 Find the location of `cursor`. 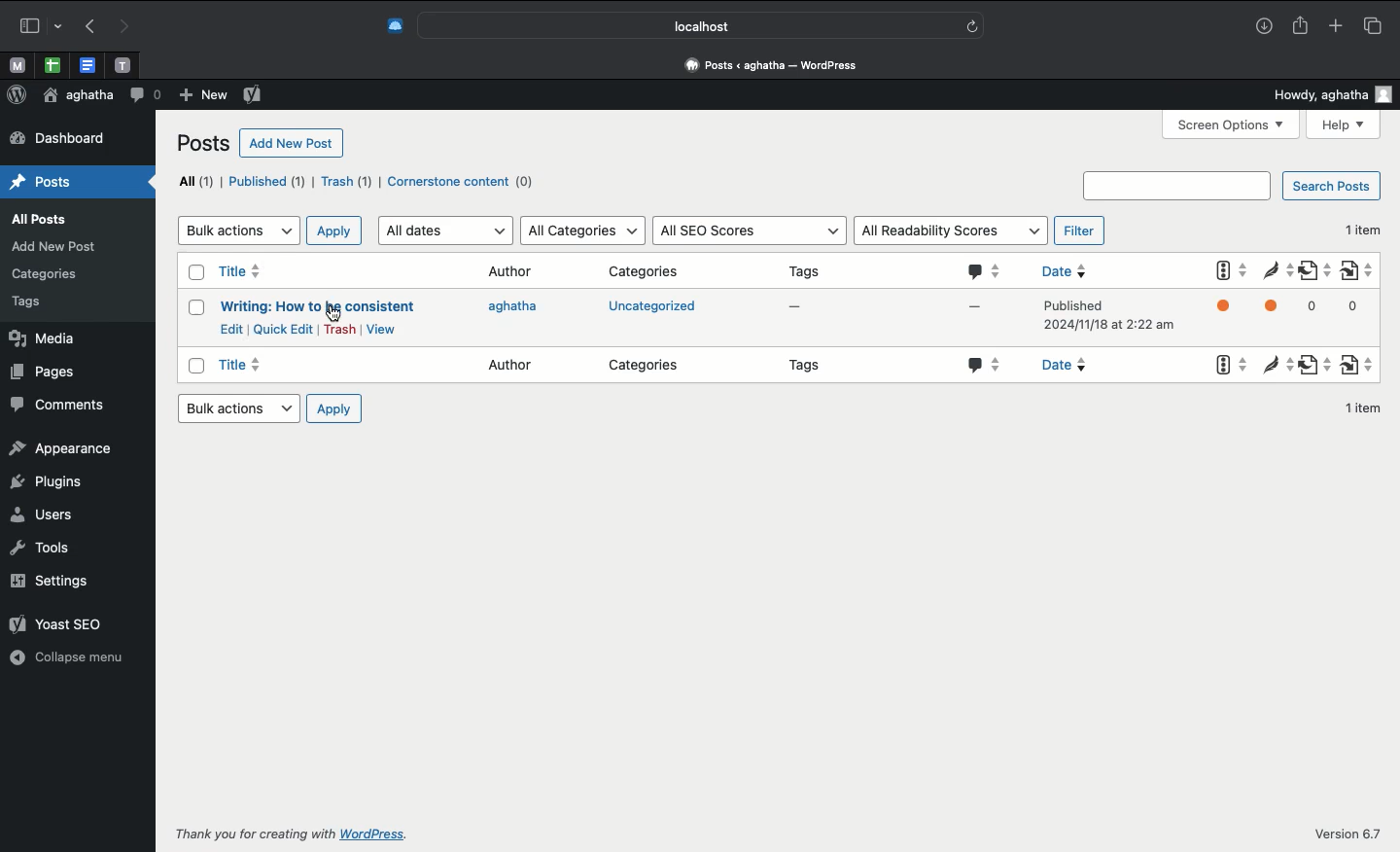

cursor is located at coordinates (336, 316).